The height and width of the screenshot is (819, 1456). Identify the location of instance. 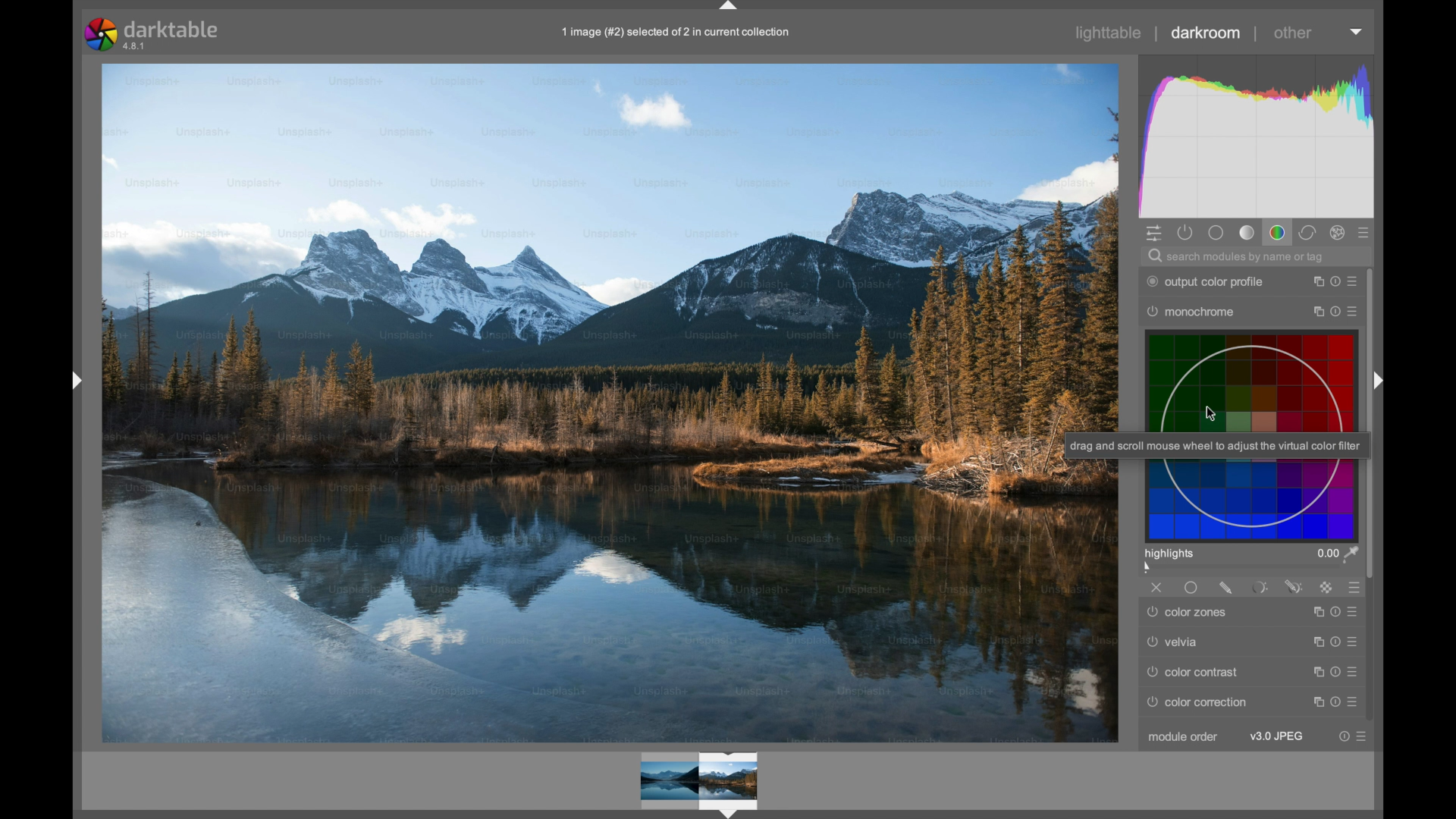
(1315, 281).